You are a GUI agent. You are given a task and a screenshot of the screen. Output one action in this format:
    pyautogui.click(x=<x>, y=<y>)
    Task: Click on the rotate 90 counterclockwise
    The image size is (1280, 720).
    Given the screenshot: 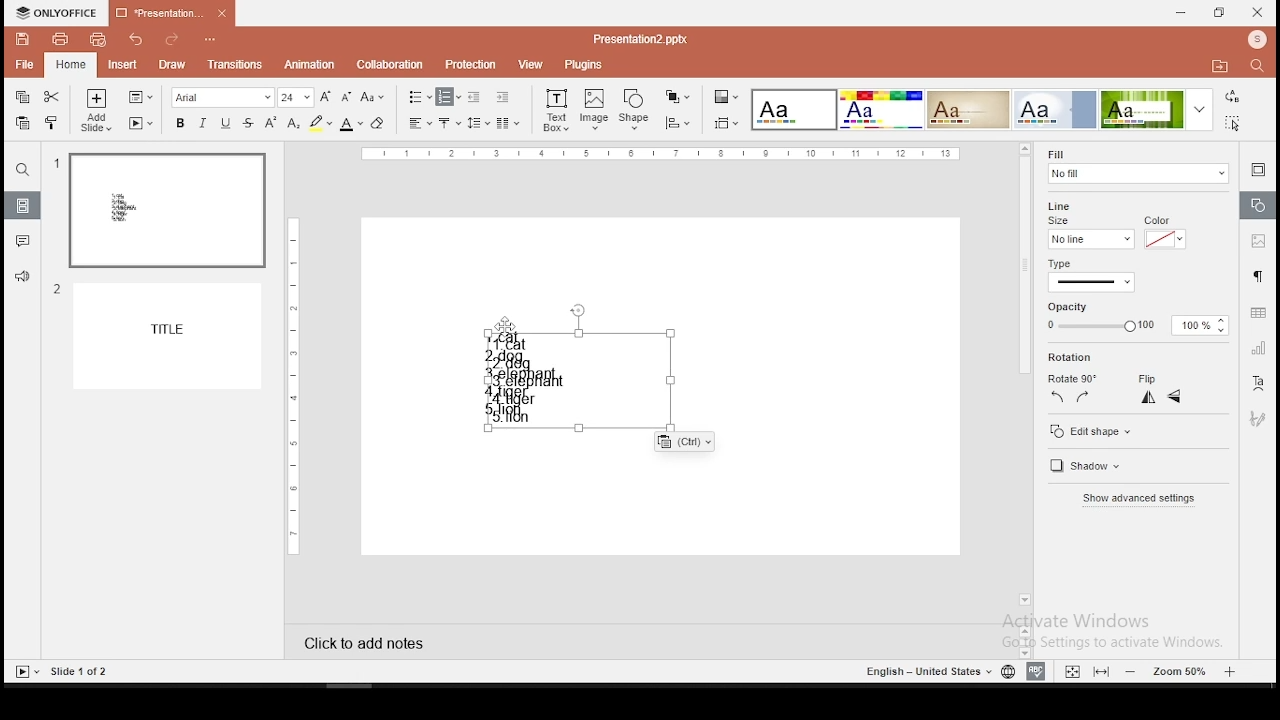 What is the action you would take?
    pyautogui.click(x=1059, y=398)
    